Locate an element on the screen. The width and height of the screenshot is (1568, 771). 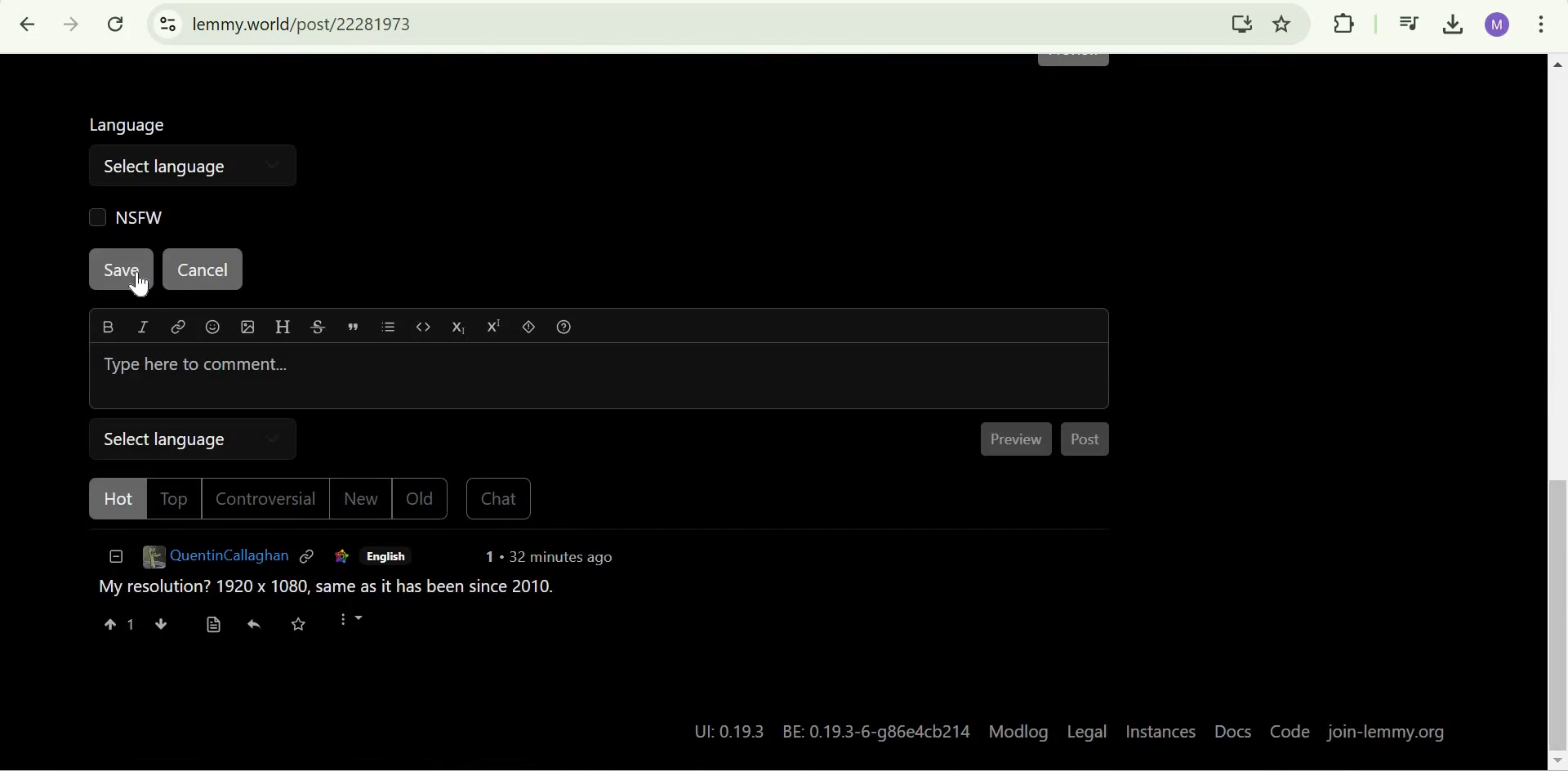
Select Language is located at coordinates (196, 438).